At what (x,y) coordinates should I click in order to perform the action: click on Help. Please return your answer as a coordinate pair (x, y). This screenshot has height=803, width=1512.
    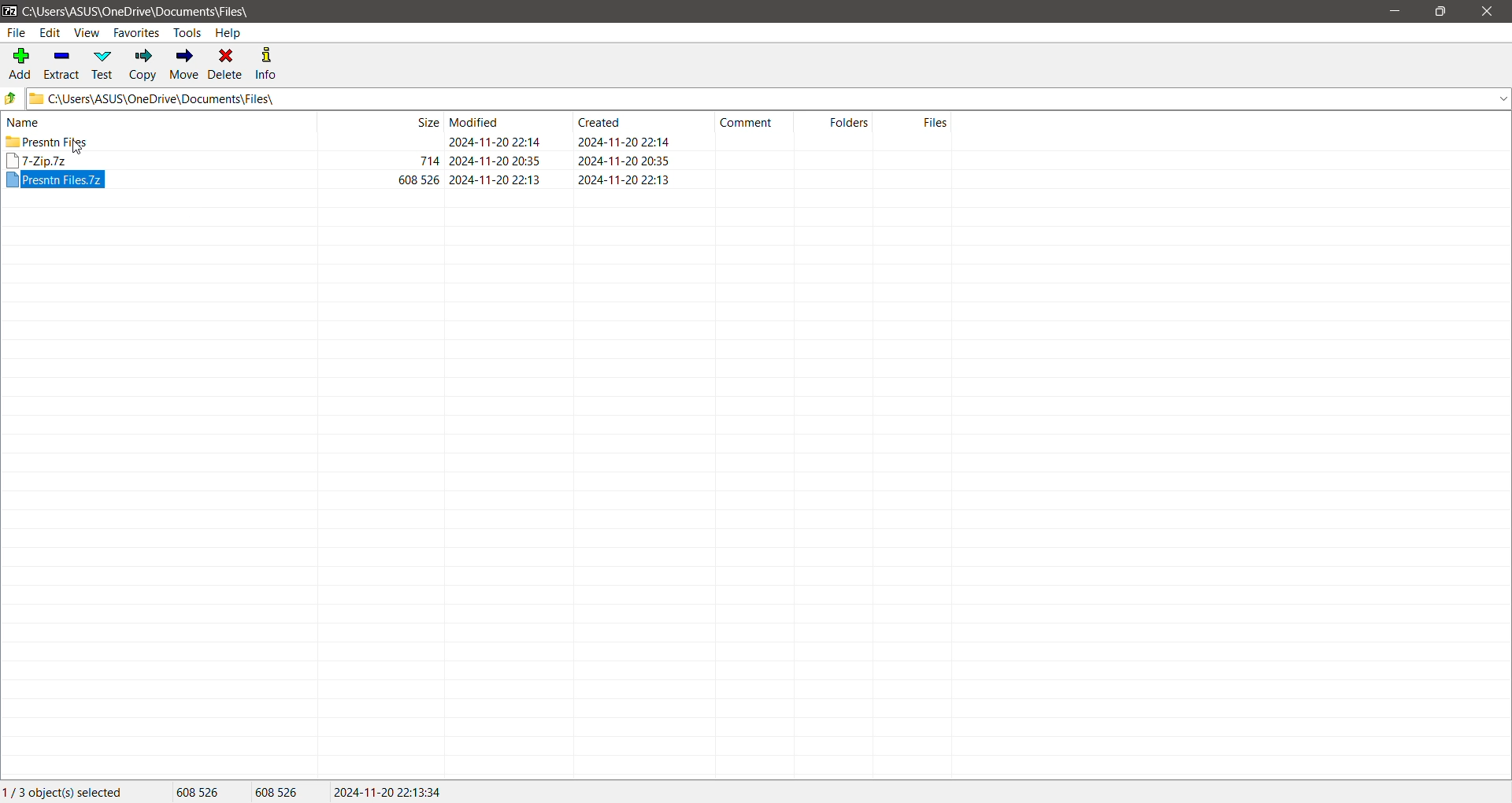
    Looking at the image, I should click on (230, 32).